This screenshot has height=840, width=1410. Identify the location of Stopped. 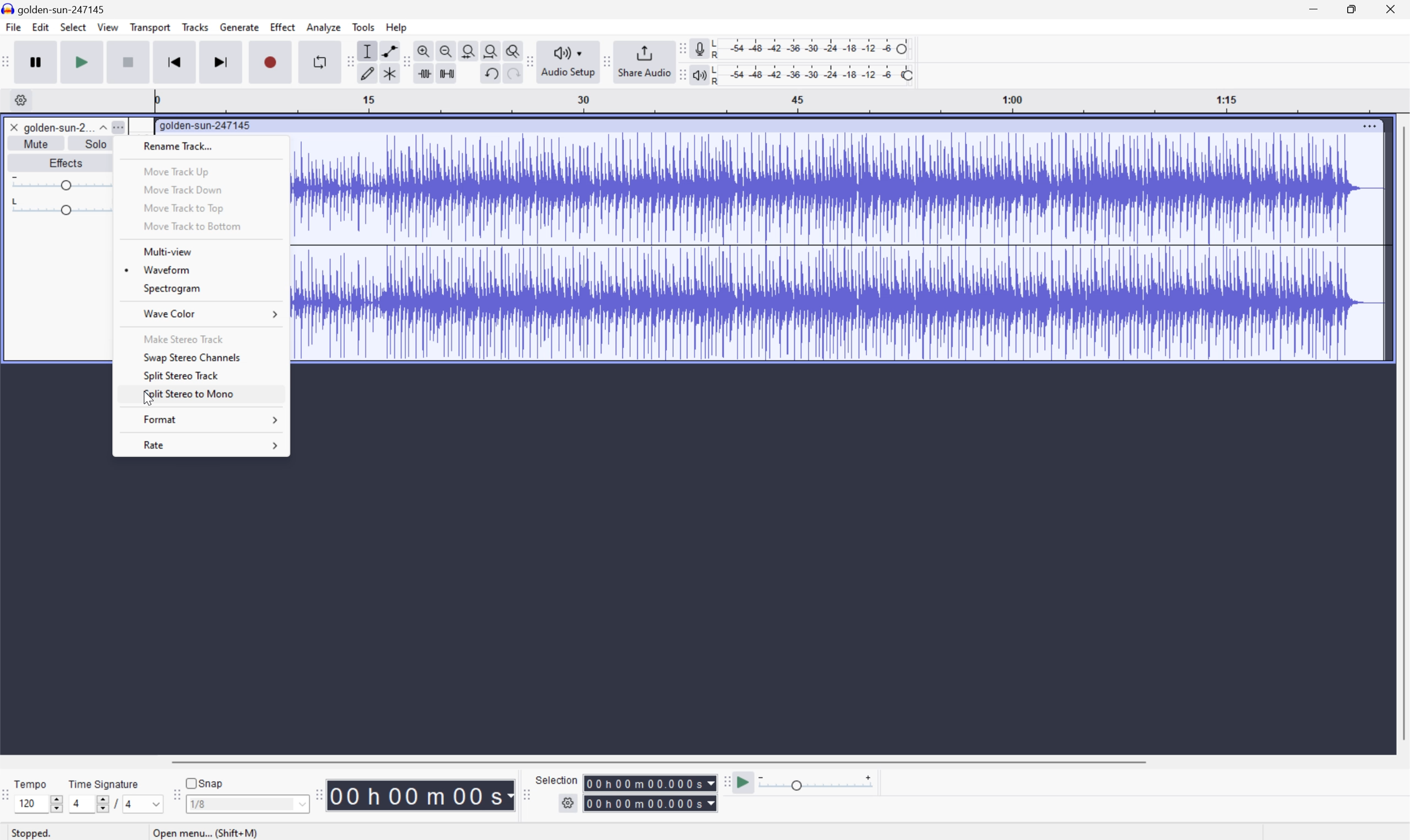
(29, 833).